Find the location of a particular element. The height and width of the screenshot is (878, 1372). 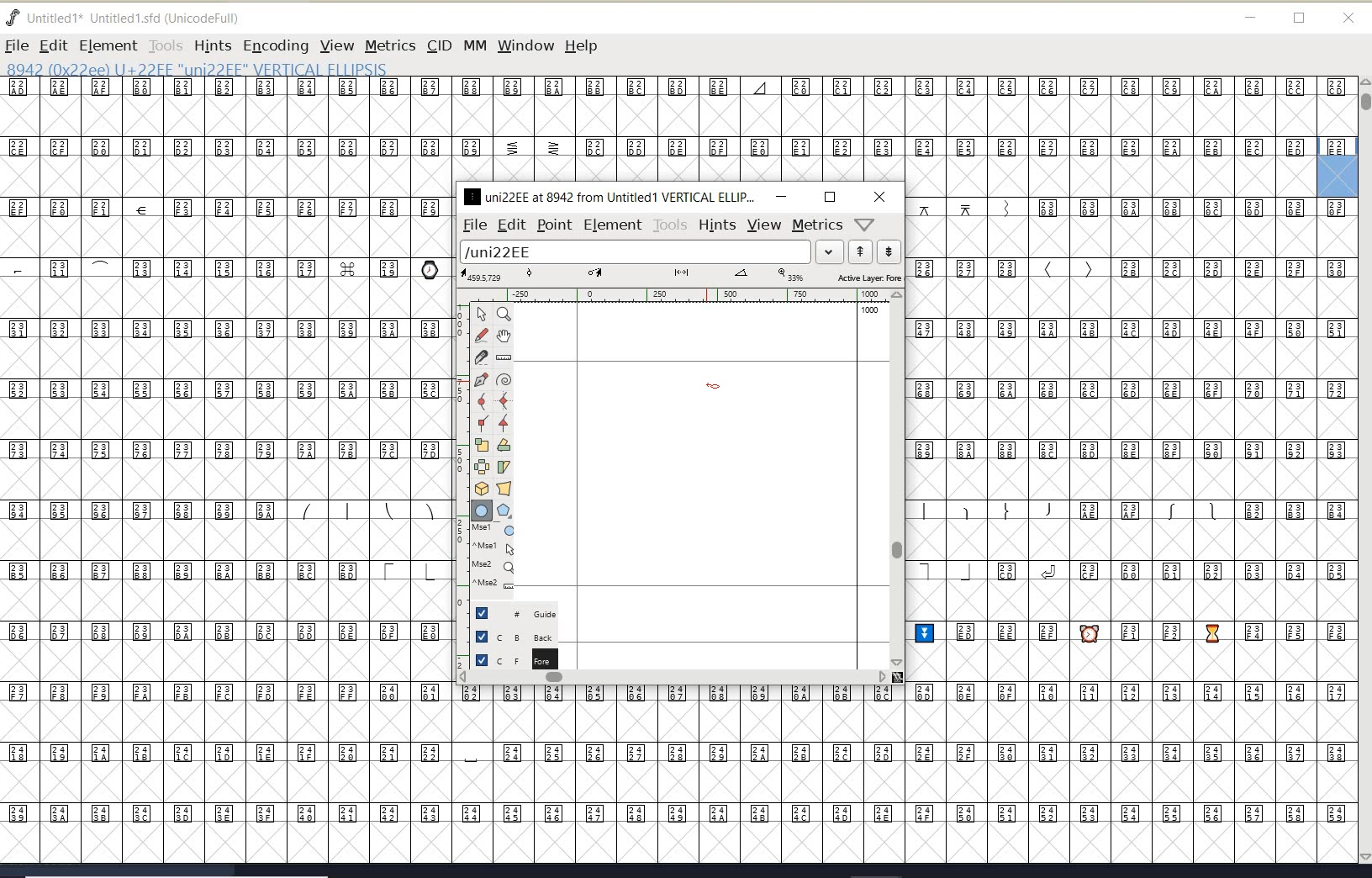

cursor events on the open new outline window is located at coordinates (495, 557).